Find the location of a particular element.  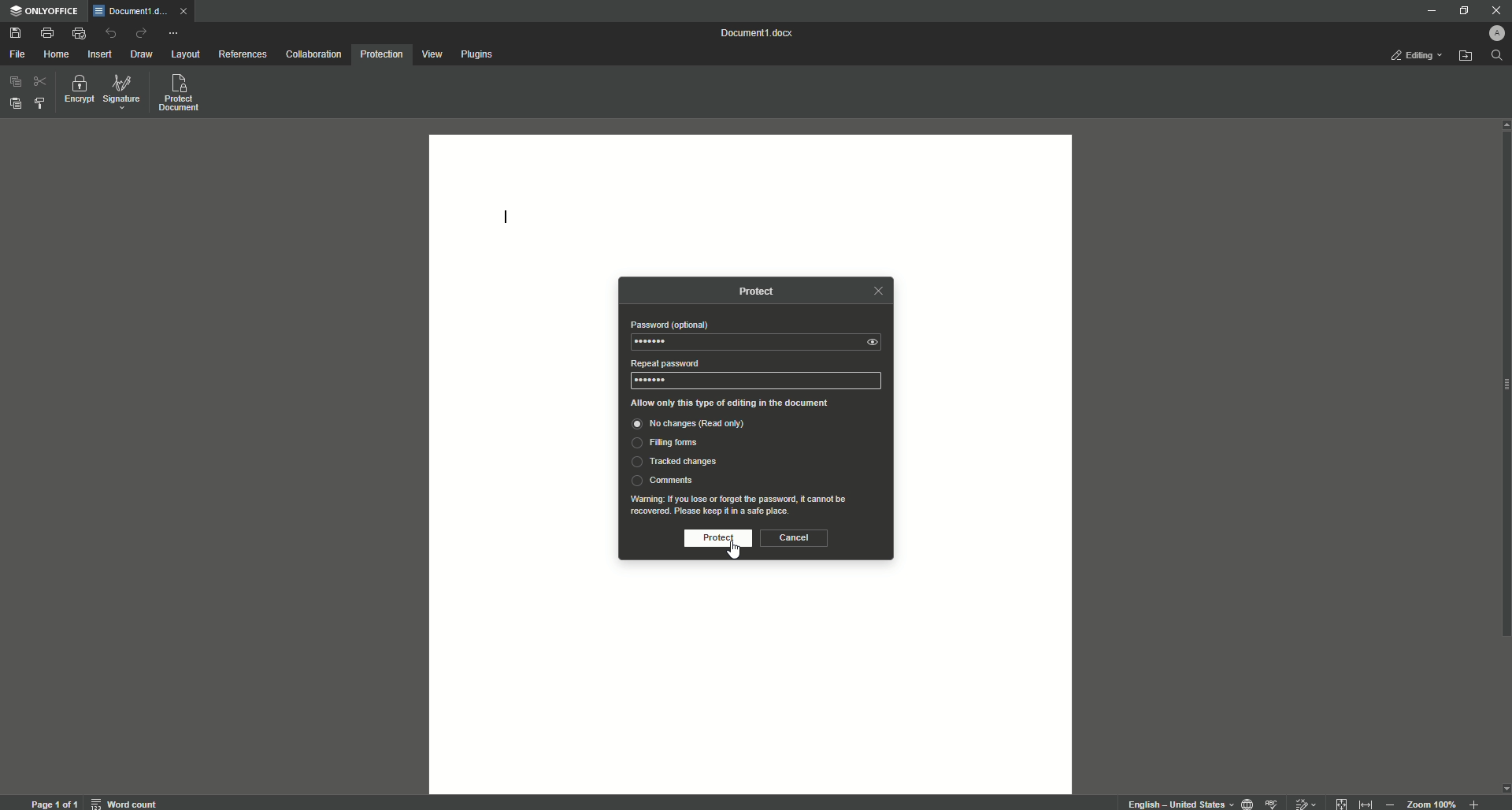

zoom 100% is located at coordinates (1433, 801).